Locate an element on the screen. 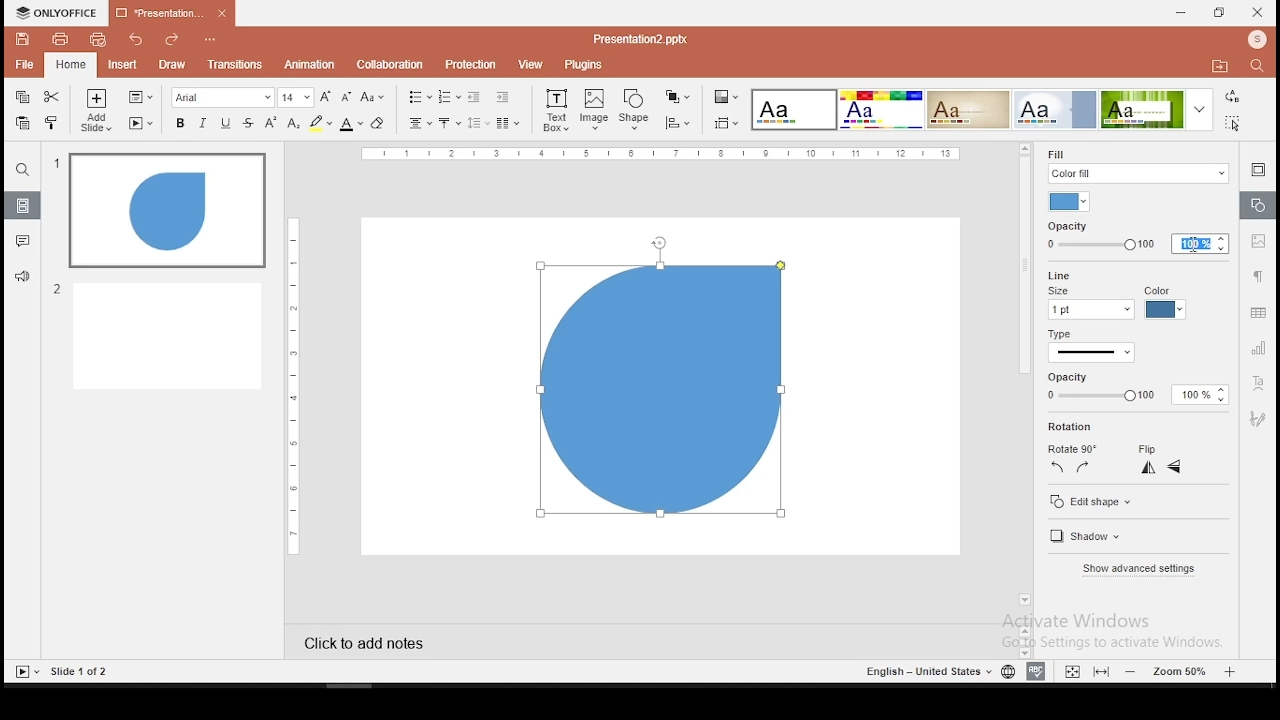 The height and width of the screenshot is (720, 1280). shadow is located at coordinates (1089, 538).